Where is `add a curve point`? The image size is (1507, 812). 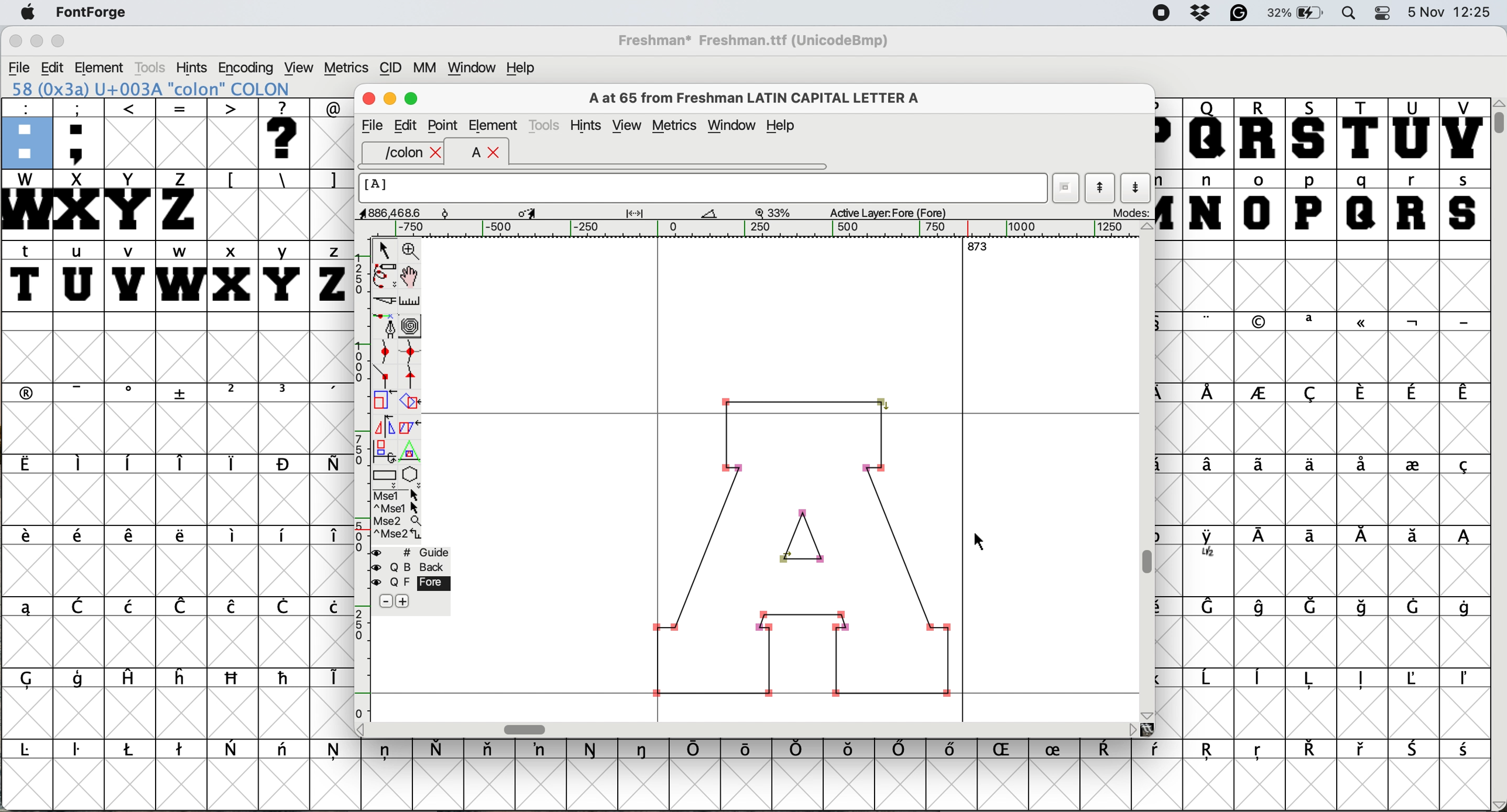
add a curve point is located at coordinates (380, 350).